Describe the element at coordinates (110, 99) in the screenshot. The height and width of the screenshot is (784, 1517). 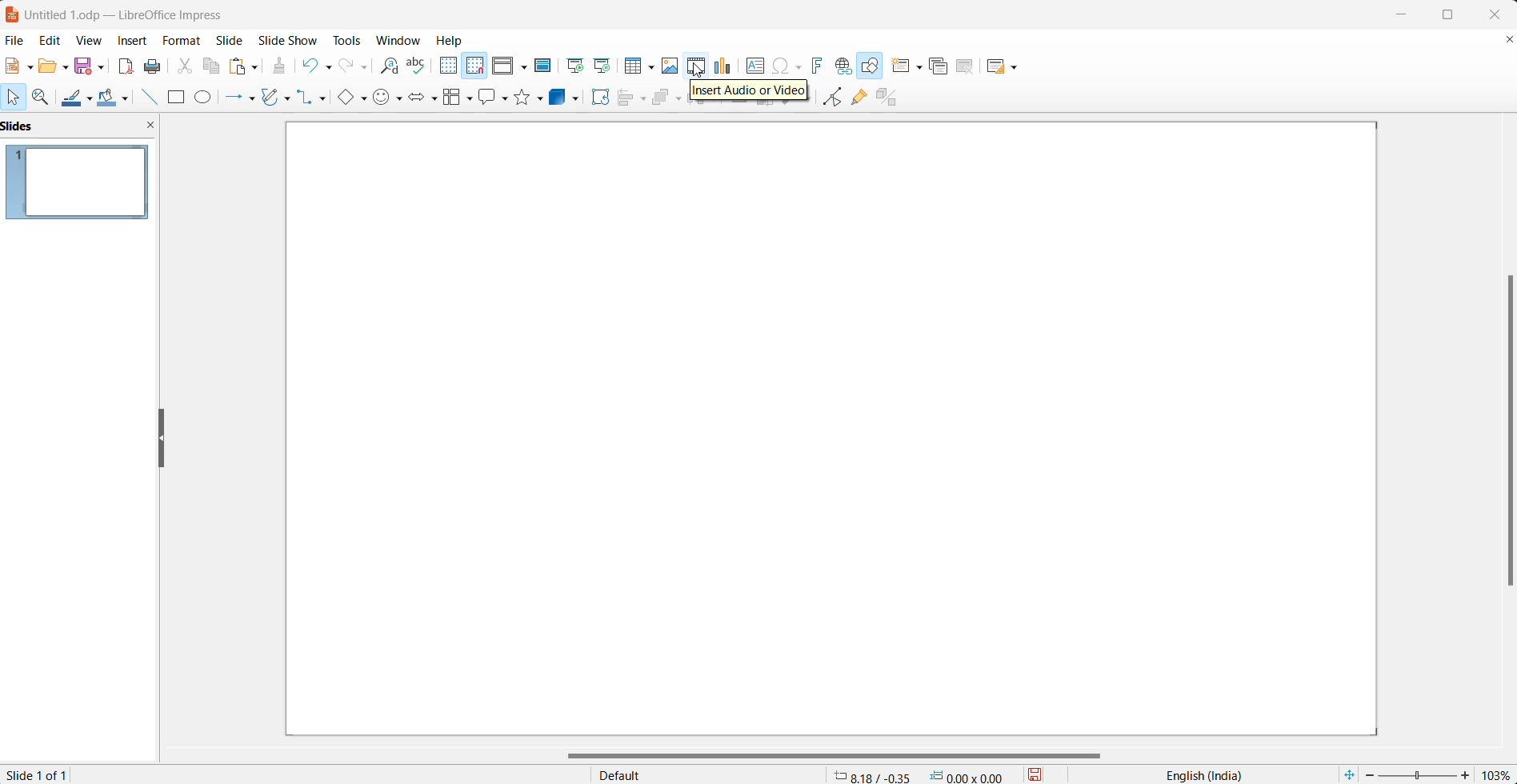
I see `fill color` at that location.